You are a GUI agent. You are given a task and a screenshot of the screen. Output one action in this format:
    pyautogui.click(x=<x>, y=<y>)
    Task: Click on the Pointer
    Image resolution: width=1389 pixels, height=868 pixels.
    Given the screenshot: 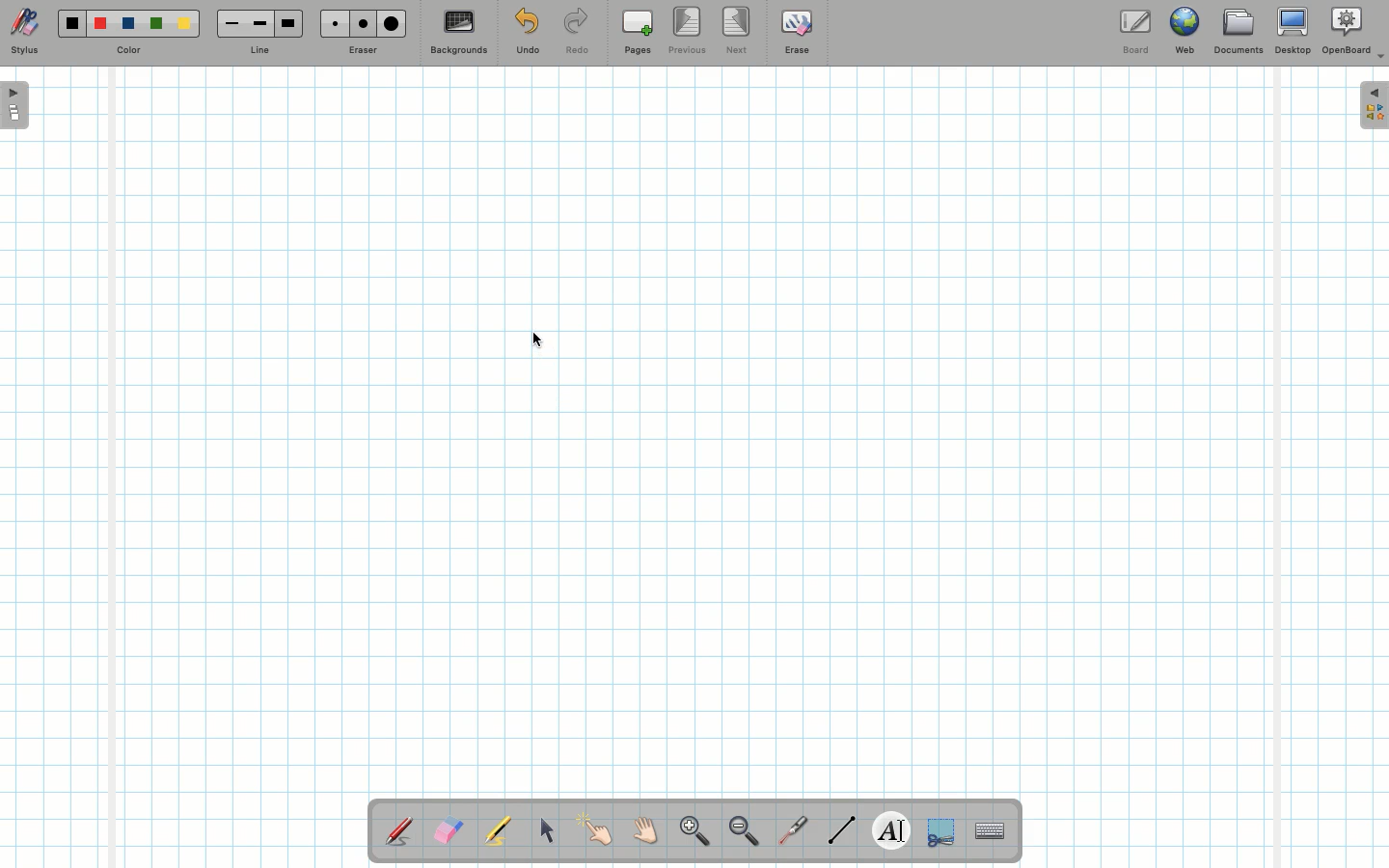 What is the action you would take?
    pyautogui.click(x=596, y=830)
    